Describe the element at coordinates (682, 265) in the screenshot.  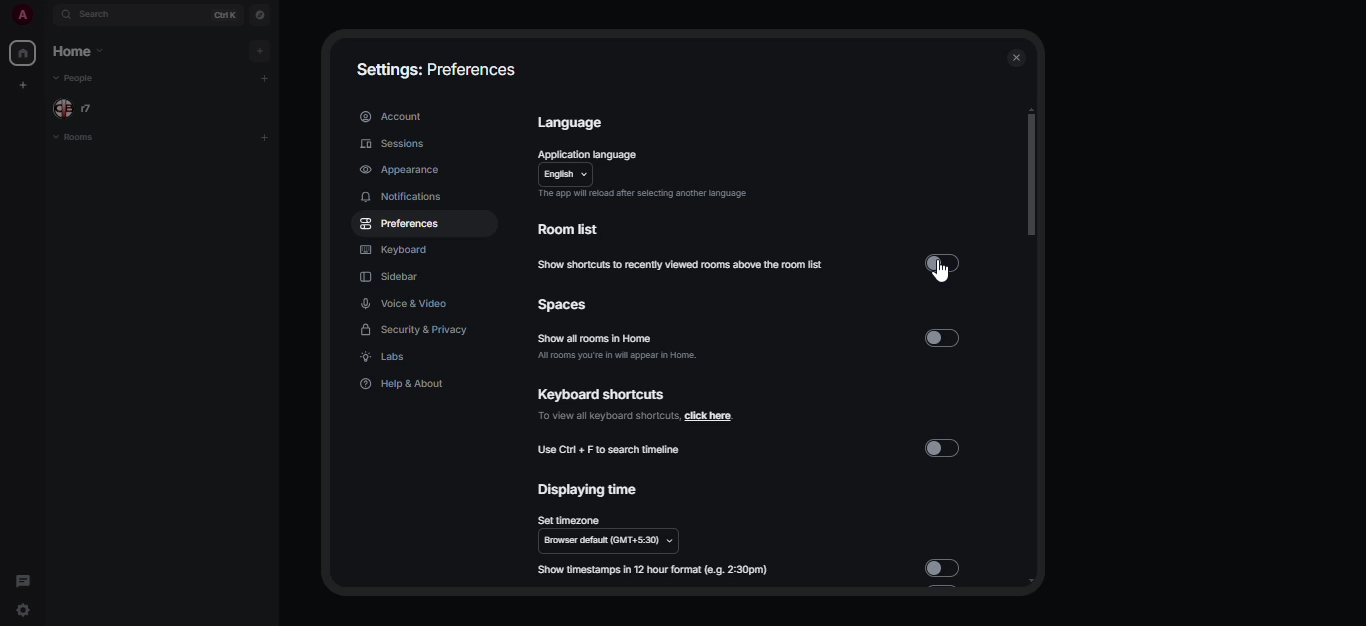
I see `show shortcuts to recently viewed rooms above the room list` at that location.